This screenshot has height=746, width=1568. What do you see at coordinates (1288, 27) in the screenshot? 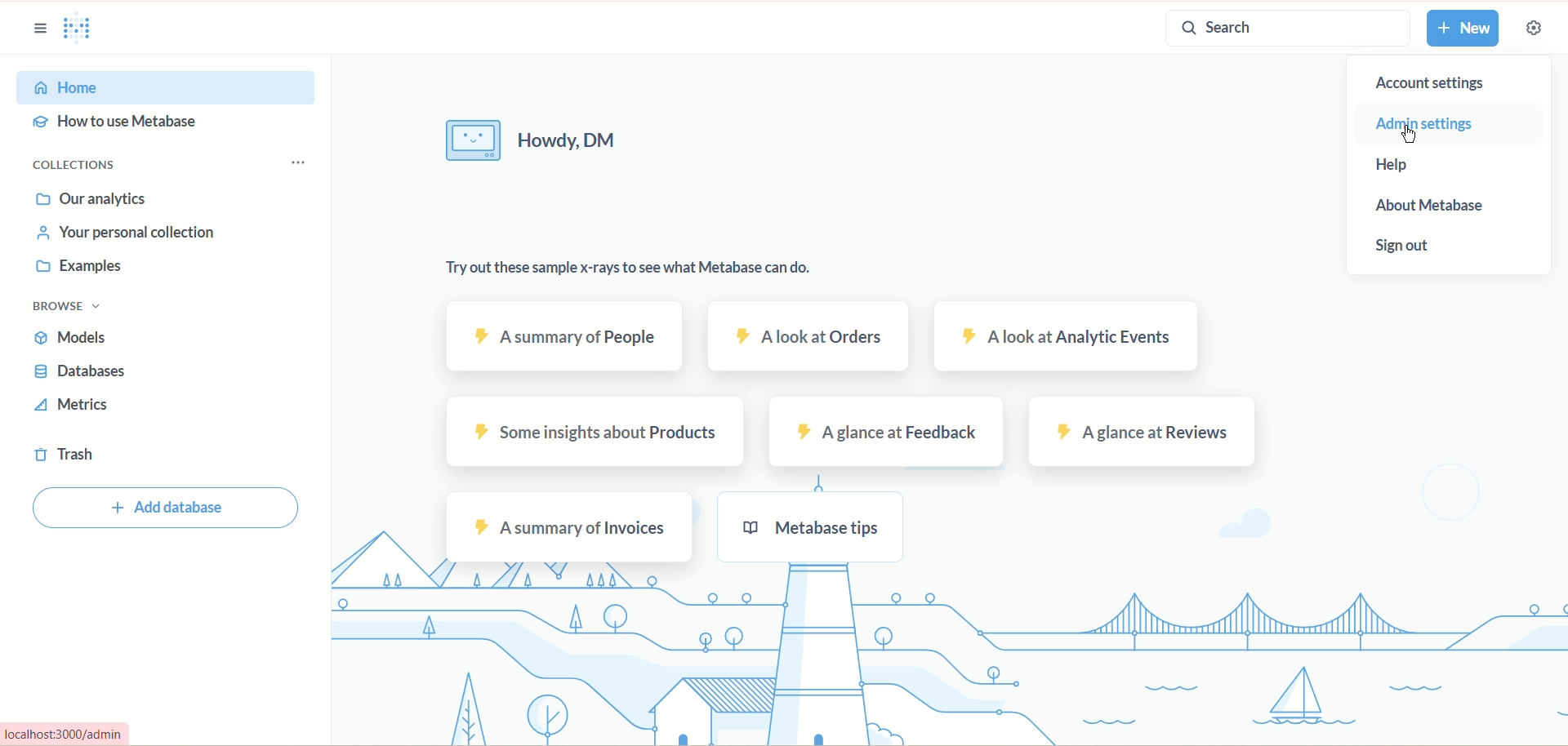
I see `search` at bounding box center [1288, 27].